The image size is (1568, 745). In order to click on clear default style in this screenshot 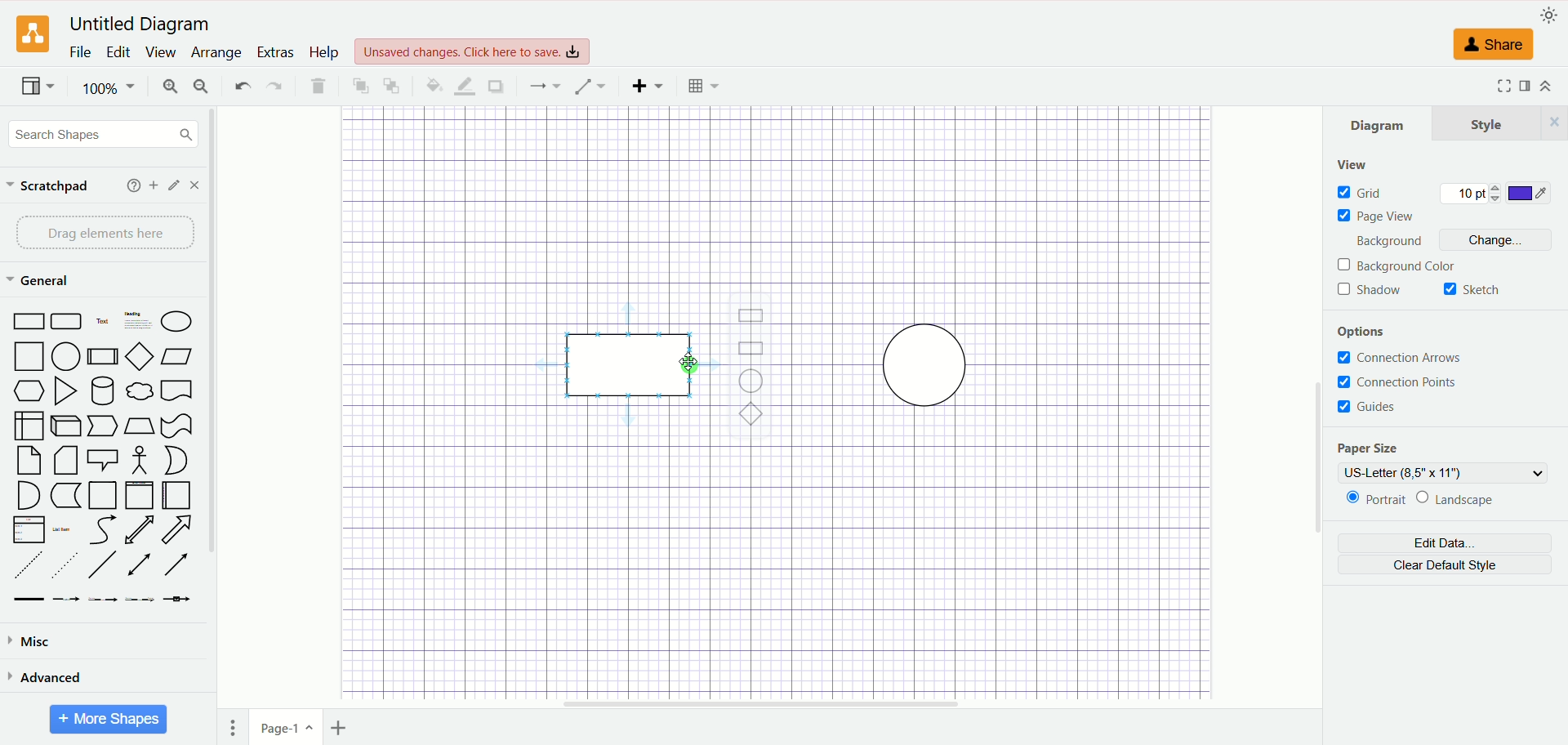, I will do `click(1445, 565)`.